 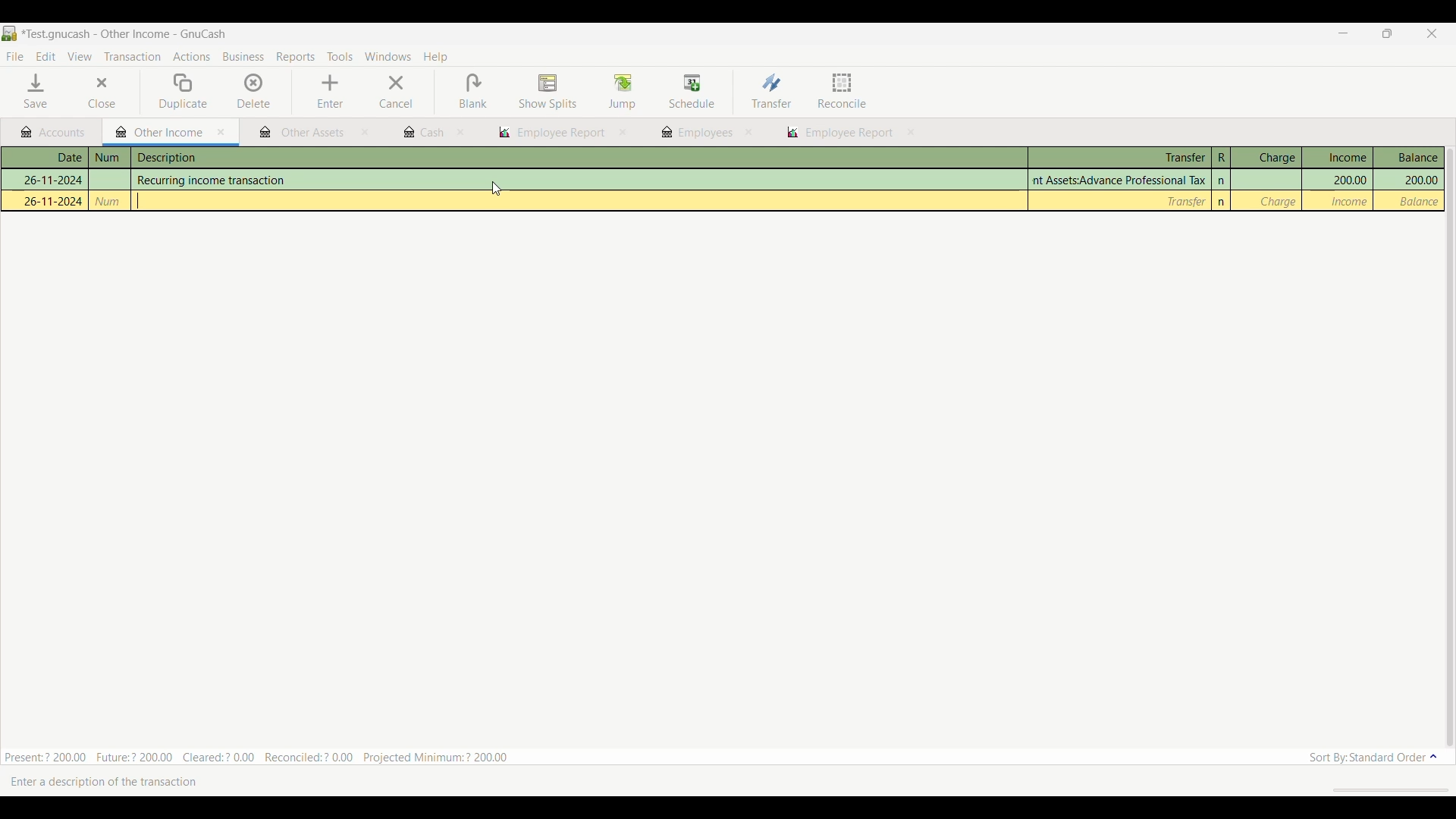 I want to click on Edit menu, so click(x=45, y=57).